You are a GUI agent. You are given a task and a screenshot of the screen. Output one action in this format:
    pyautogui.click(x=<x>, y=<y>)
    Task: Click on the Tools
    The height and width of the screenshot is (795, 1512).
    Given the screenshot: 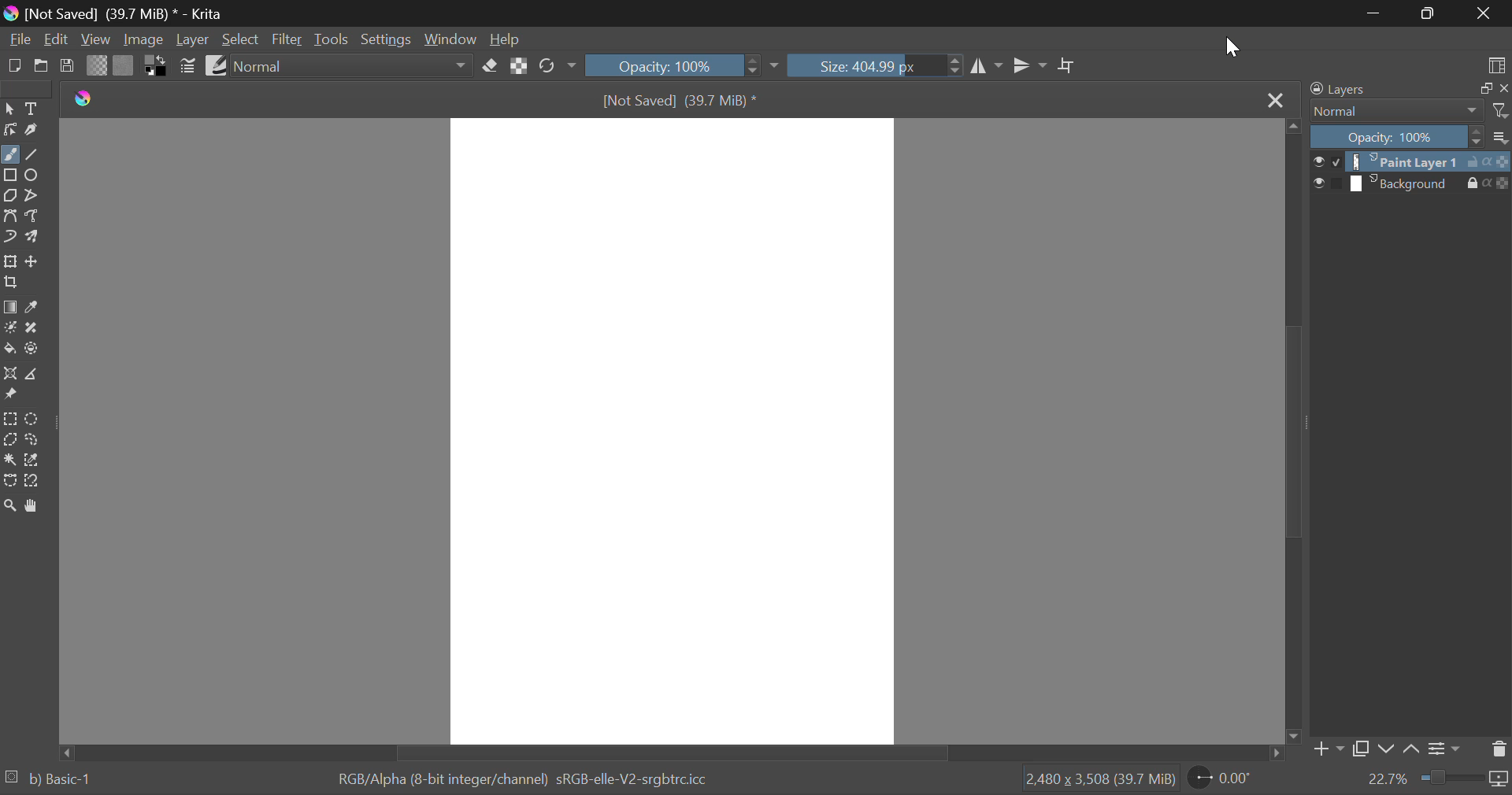 What is the action you would take?
    pyautogui.click(x=332, y=39)
    